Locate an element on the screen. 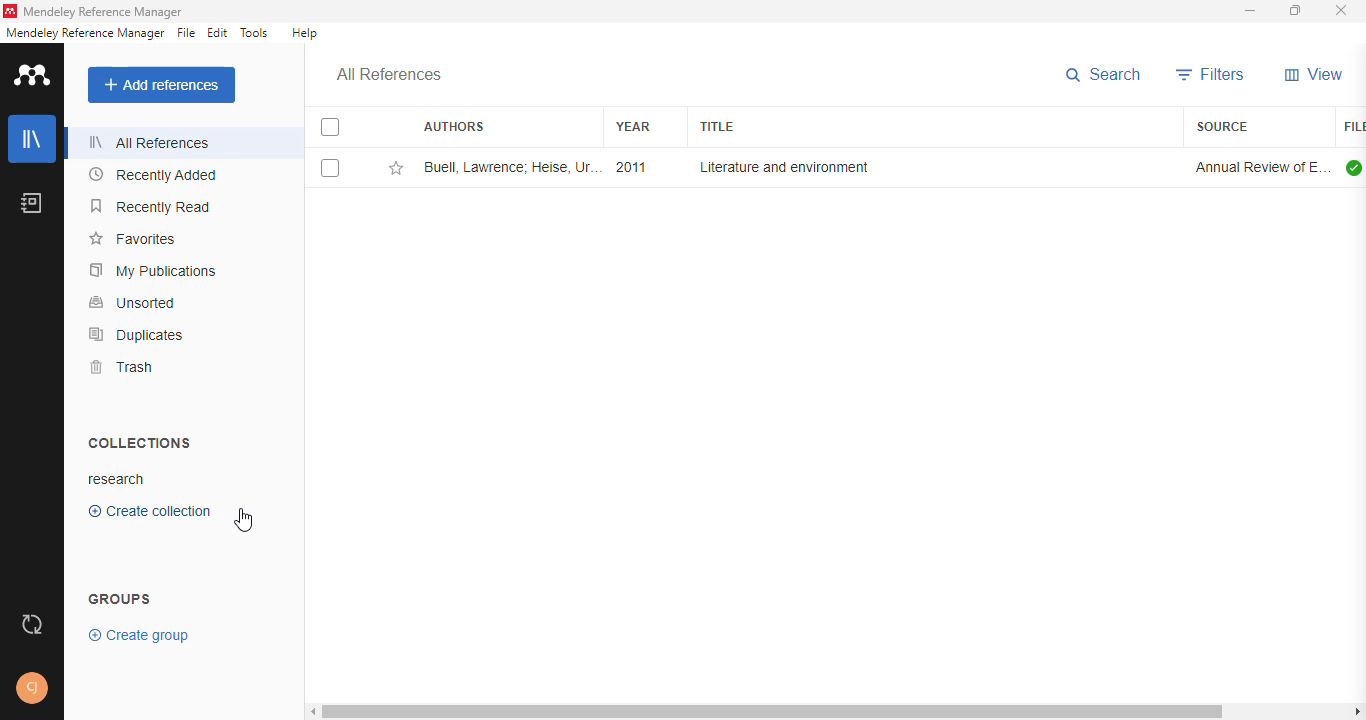  logo is located at coordinates (9, 11).